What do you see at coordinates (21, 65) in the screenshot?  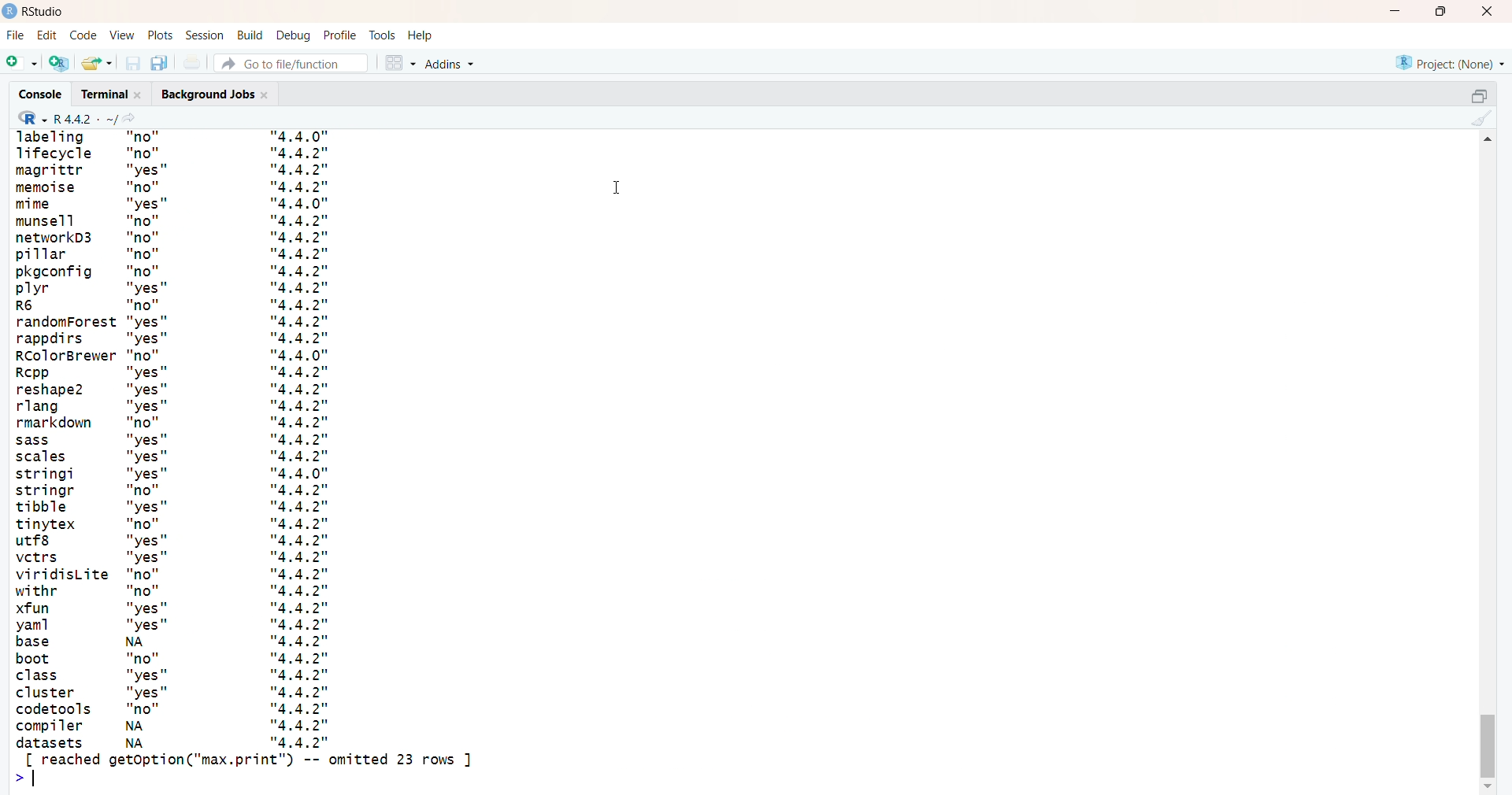 I see `new file` at bounding box center [21, 65].